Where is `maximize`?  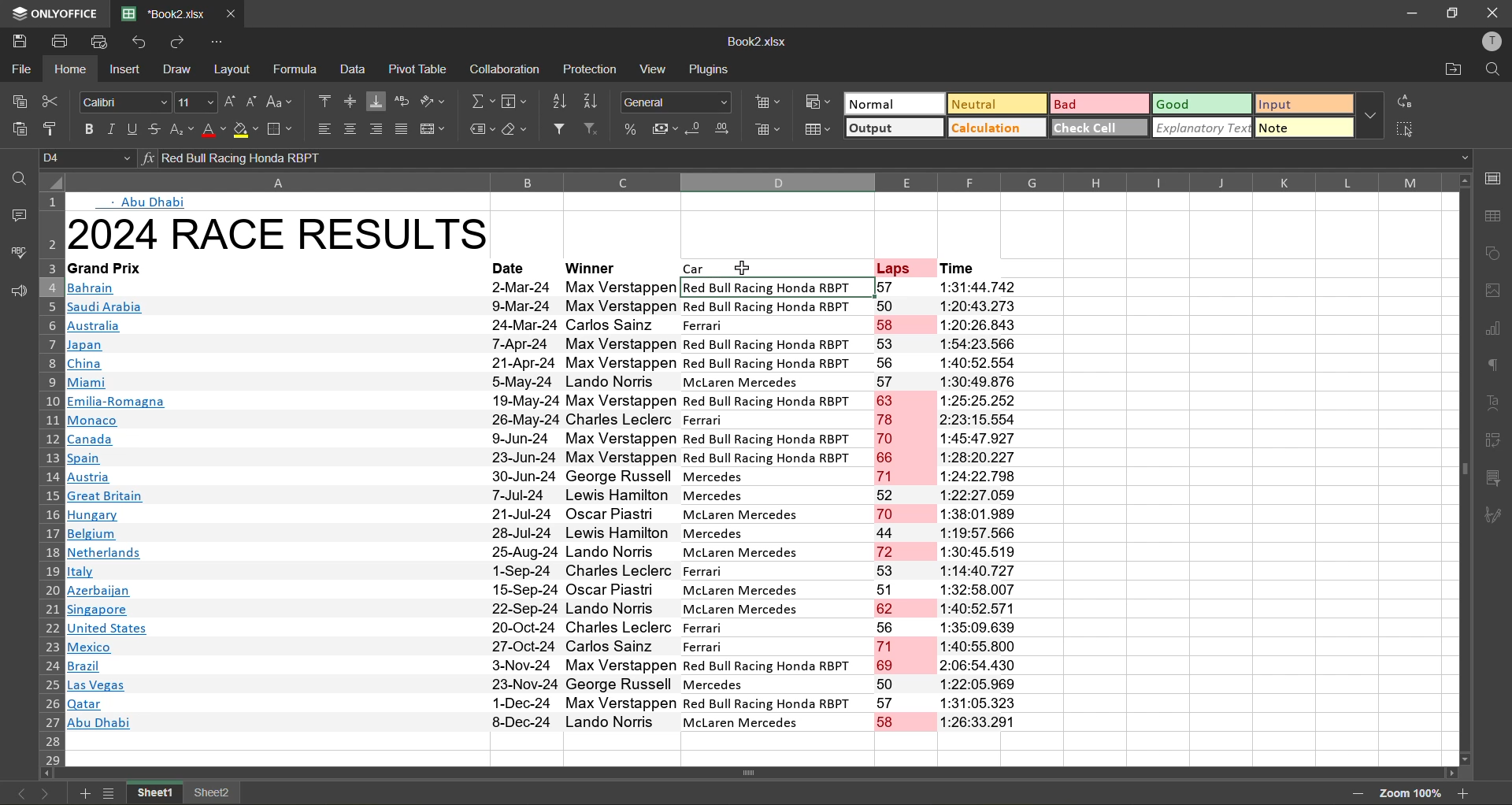 maximize is located at coordinates (1460, 12).